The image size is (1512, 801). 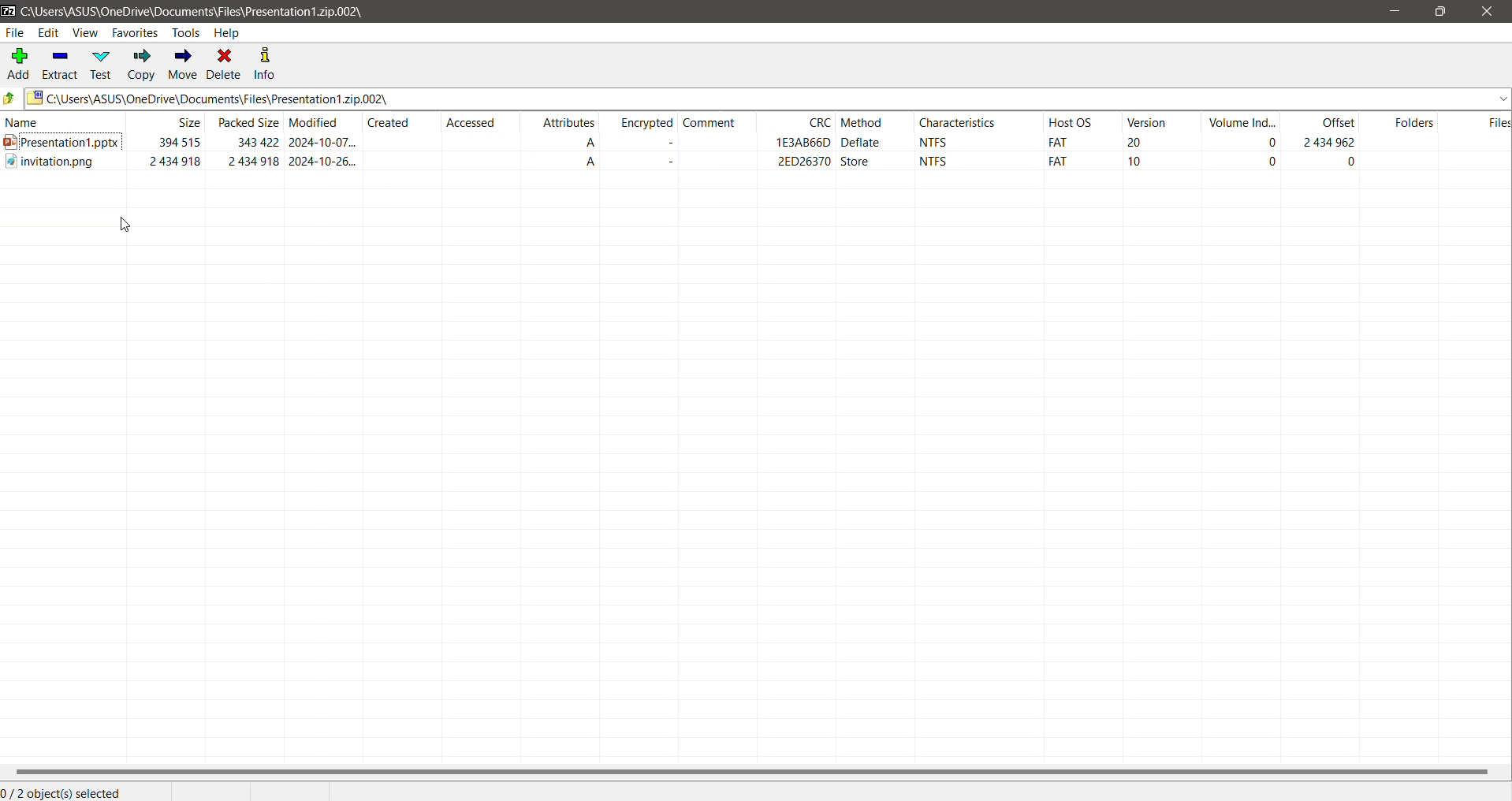 I want to click on Accessed , so click(x=480, y=122).